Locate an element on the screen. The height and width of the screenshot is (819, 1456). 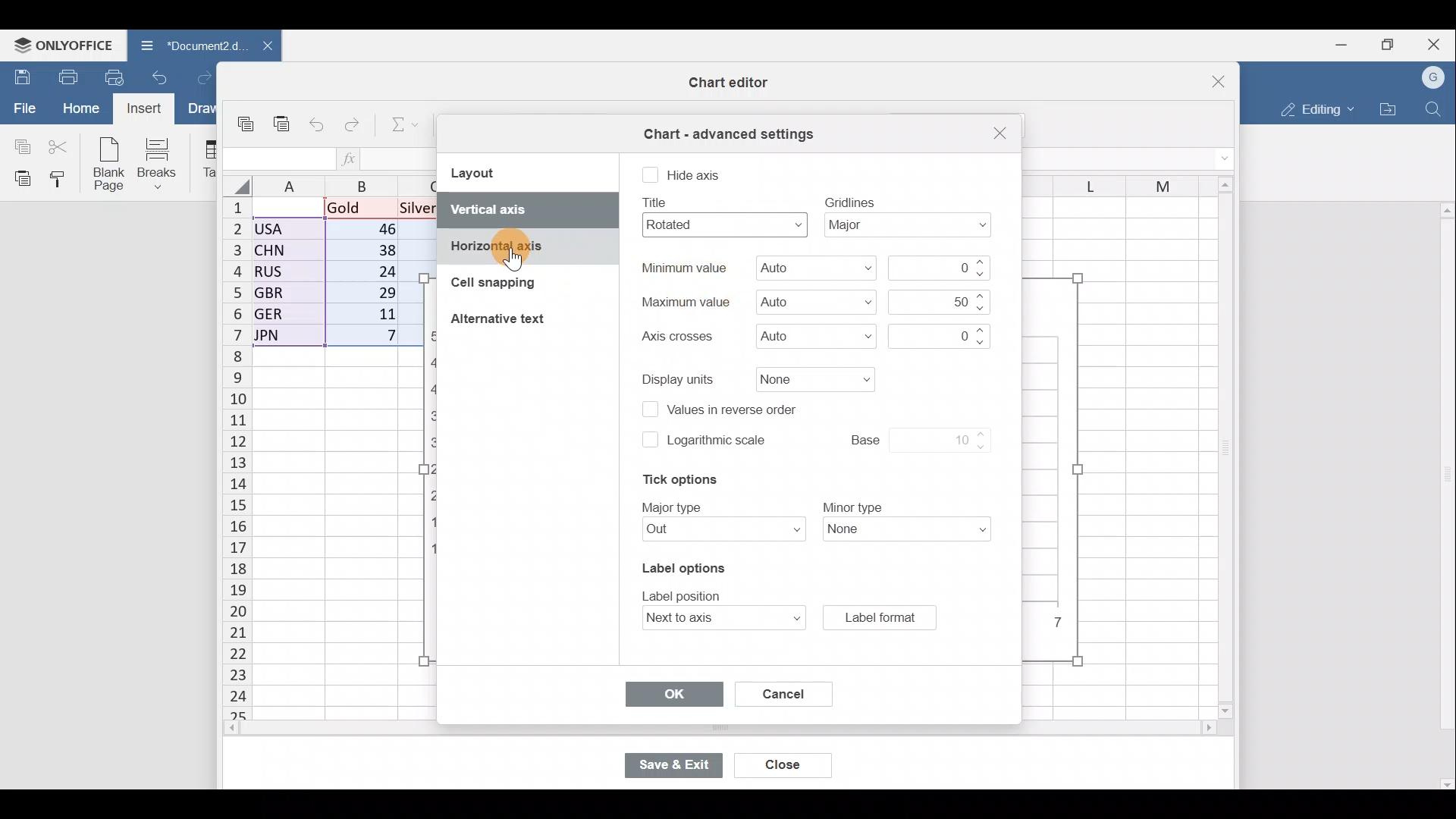
Copy is located at coordinates (247, 118).